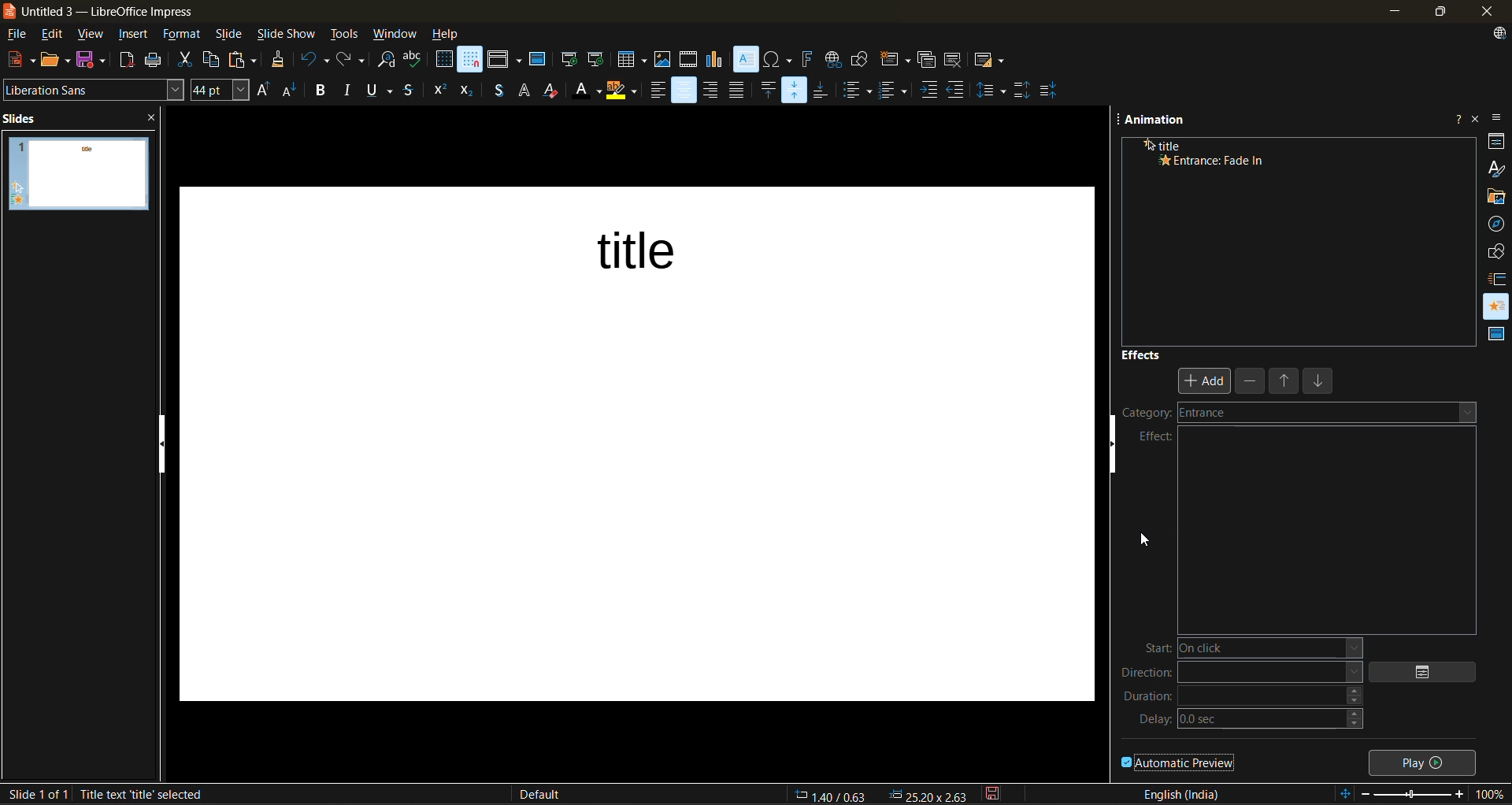 The image size is (1512, 805). I want to click on print, so click(158, 60).